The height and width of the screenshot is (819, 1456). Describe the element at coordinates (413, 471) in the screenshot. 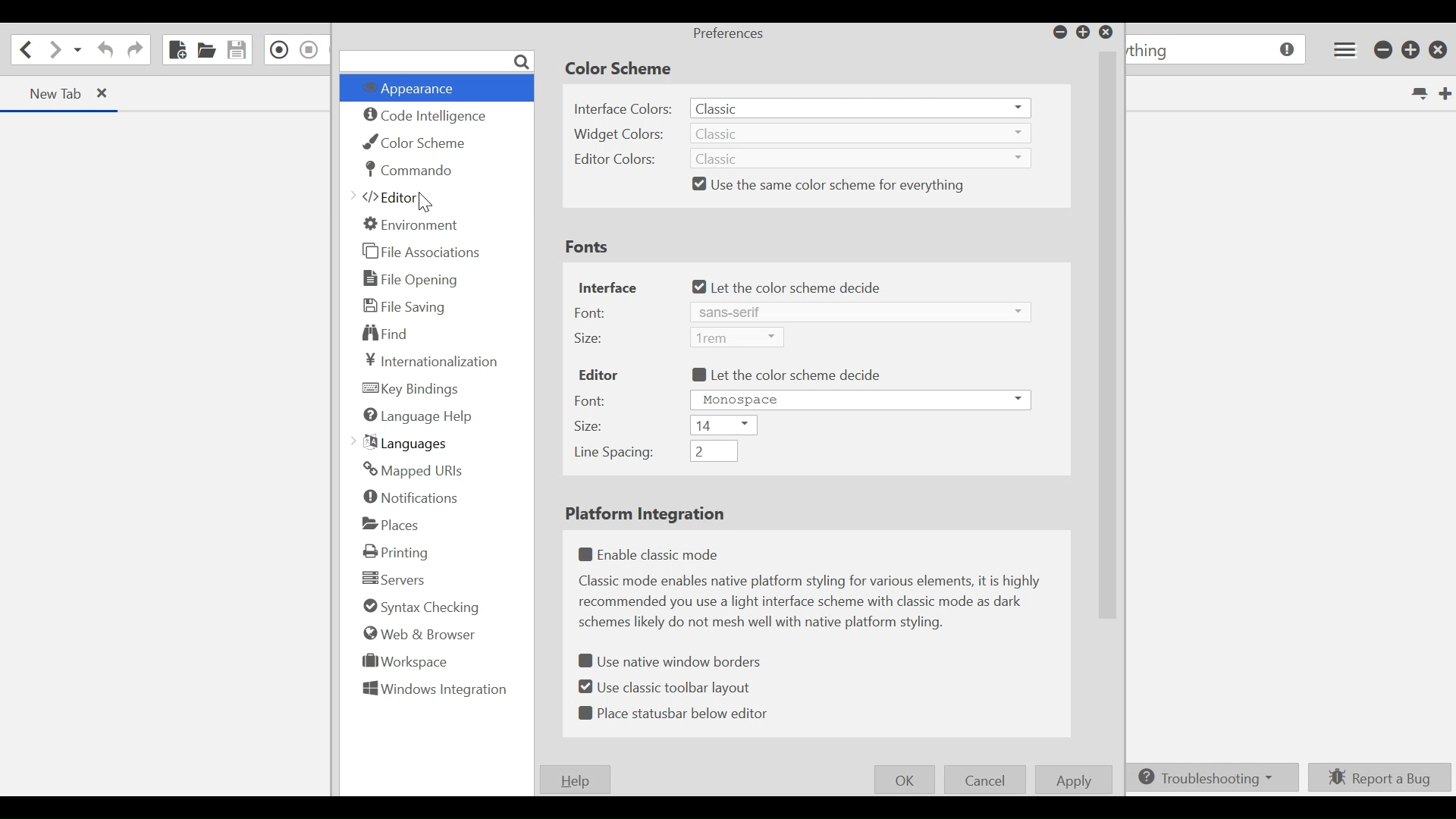

I see `Mapped URLs` at that location.